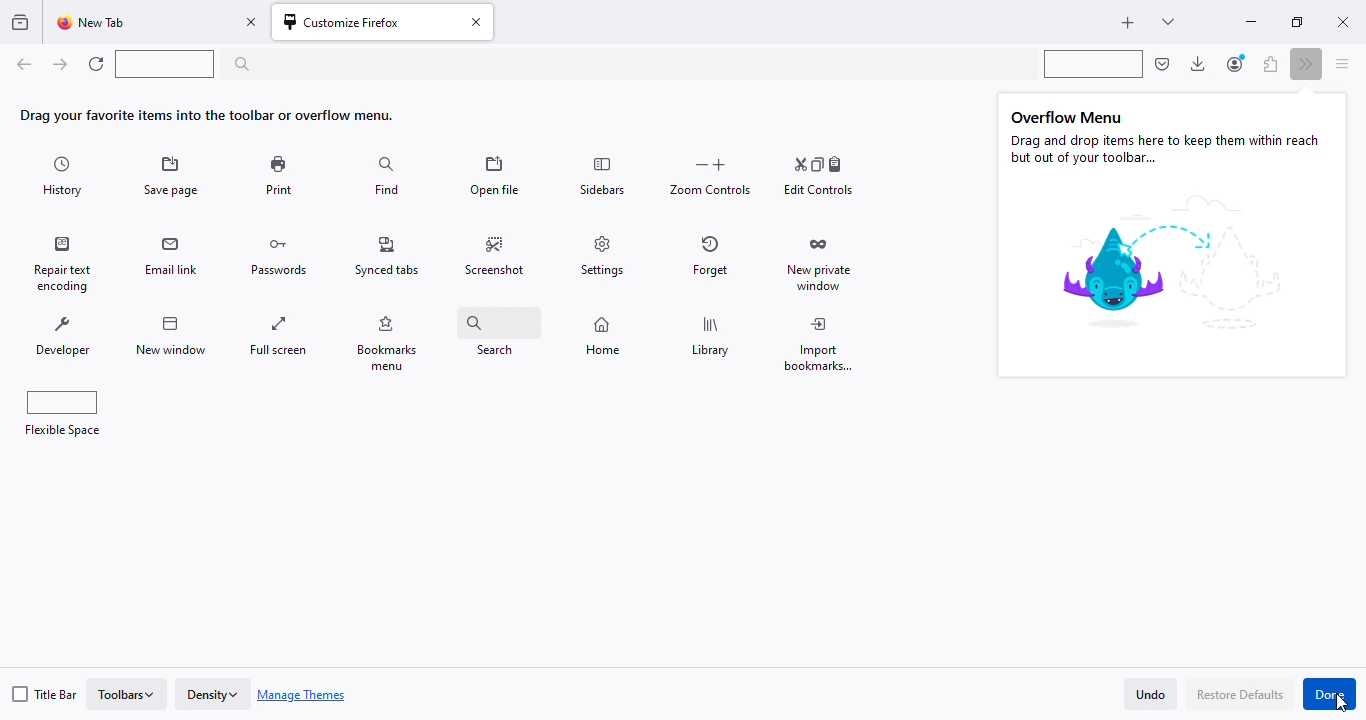 This screenshot has width=1366, height=720. What do you see at coordinates (1171, 141) in the screenshot?
I see `Overflow Menu Drag and drop items here to keep them within reach but out of your toolbar...` at bounding box center [1171, 141].